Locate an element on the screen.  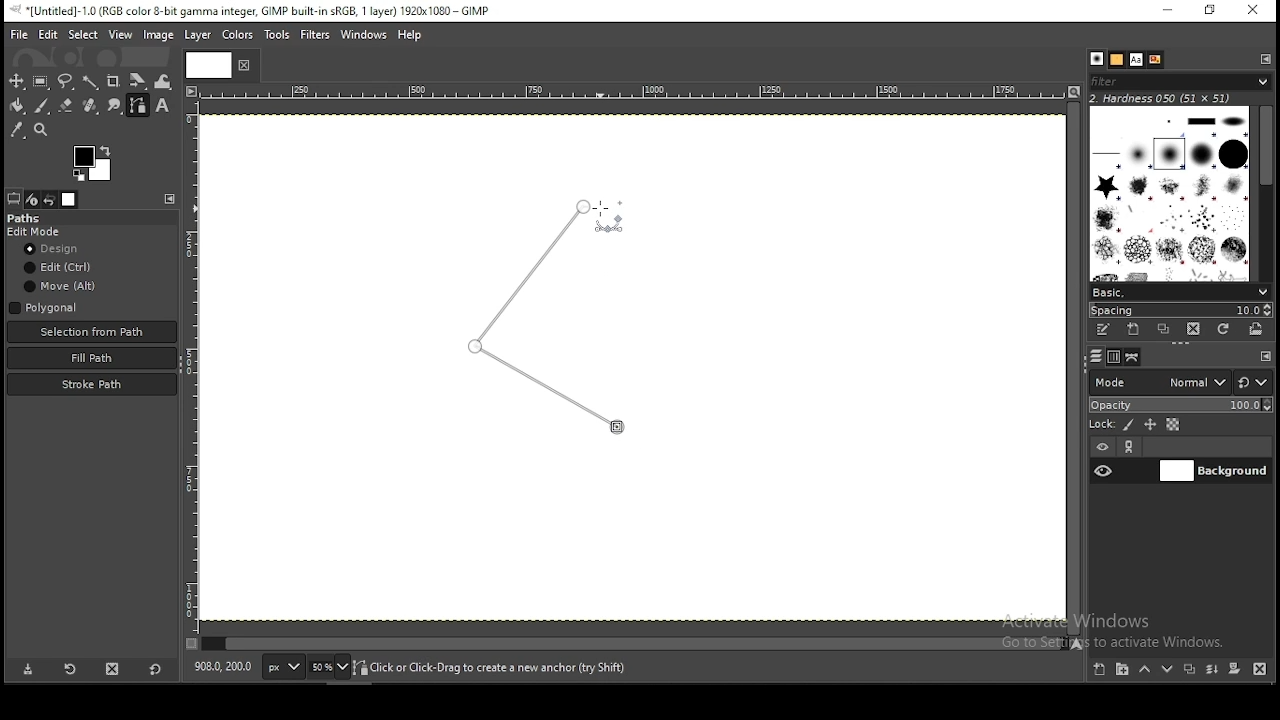
move is located at coordinates (61, 286).